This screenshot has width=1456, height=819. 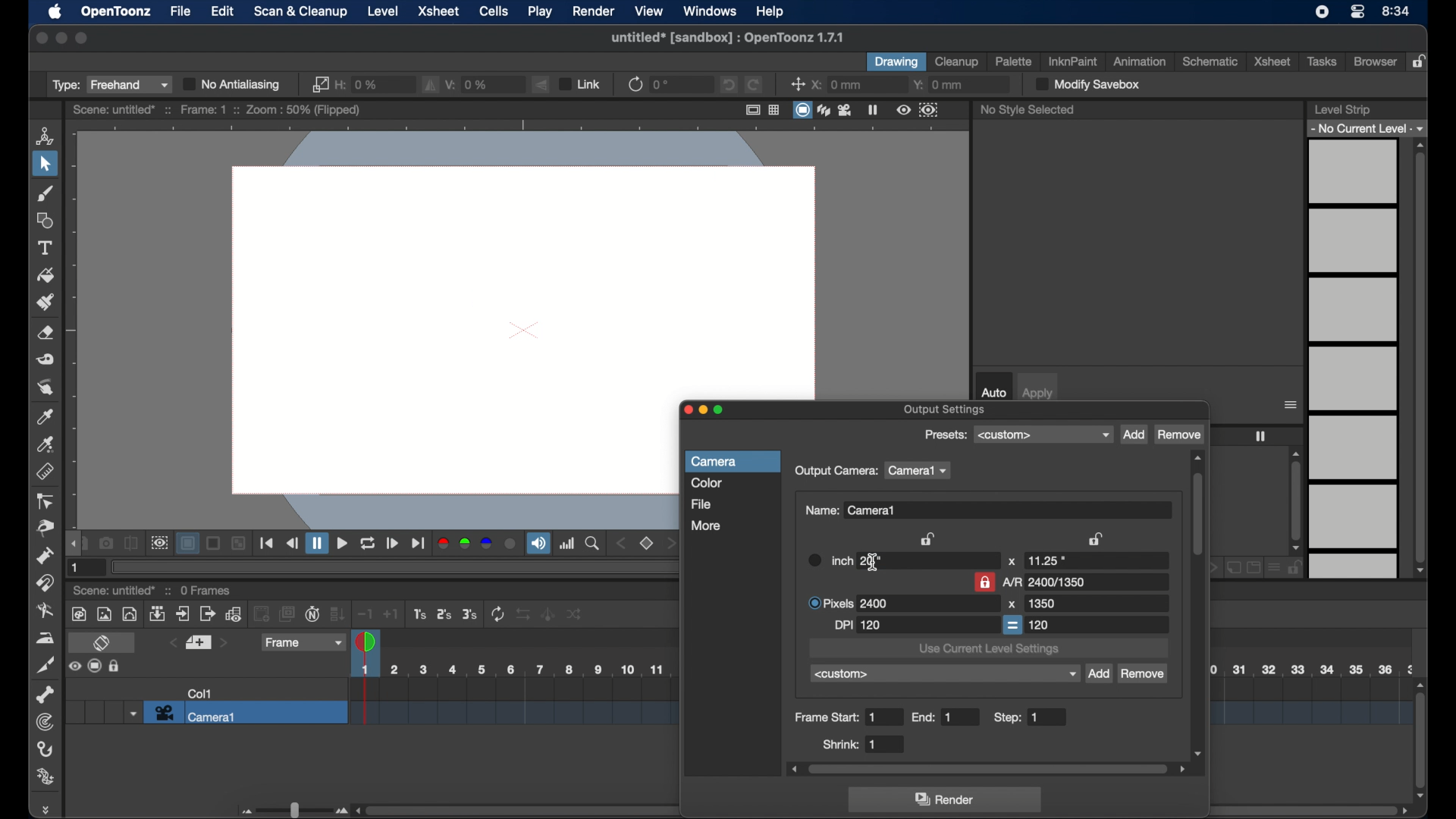 What do you see at coordinates (510, 670) in the screenshot?
I see `scene scale` at bounding box center [510, 670].